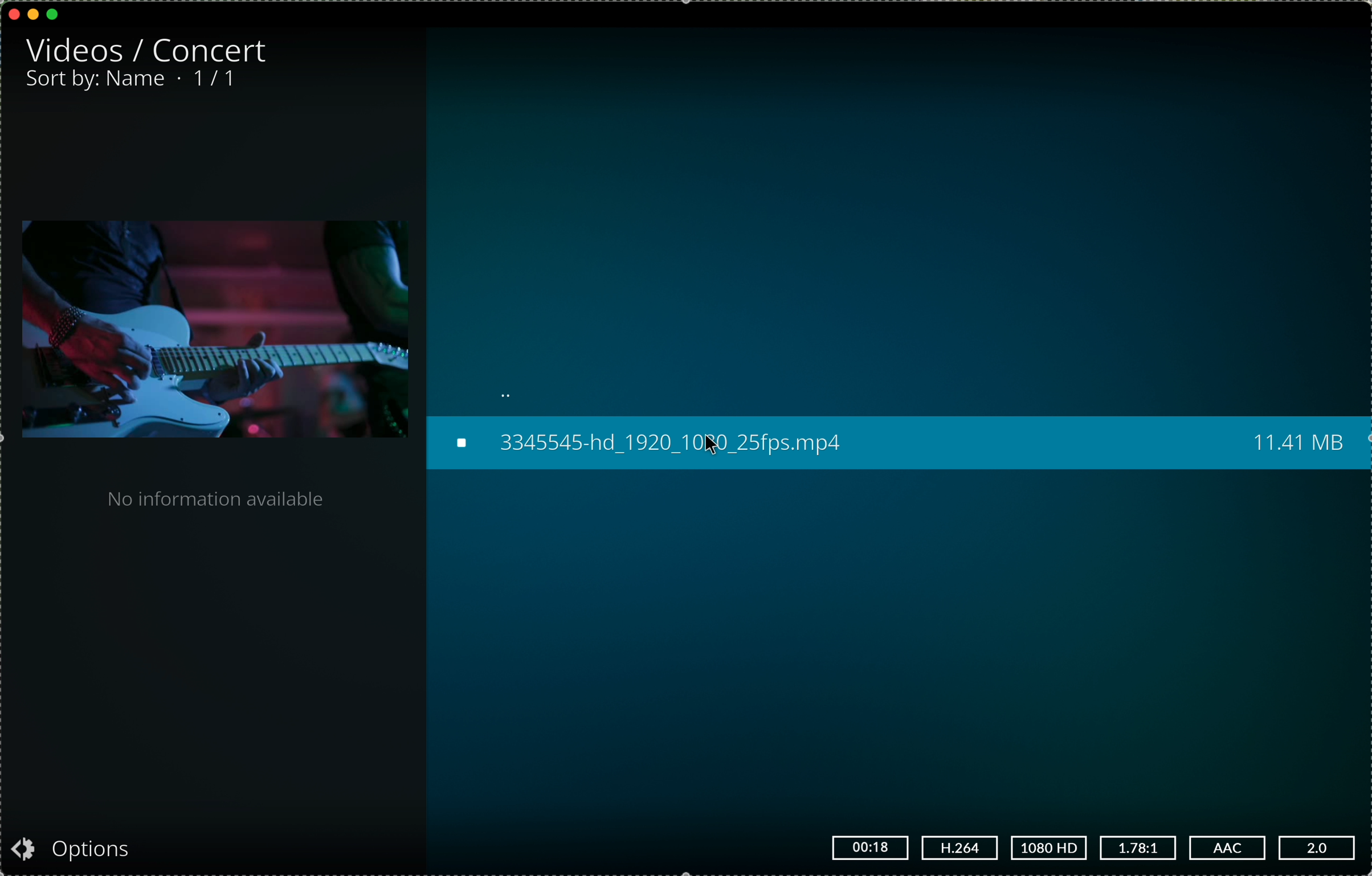  Describe the element at coordinates (99, 81) in the screenshot. I see `sort by` at that location.